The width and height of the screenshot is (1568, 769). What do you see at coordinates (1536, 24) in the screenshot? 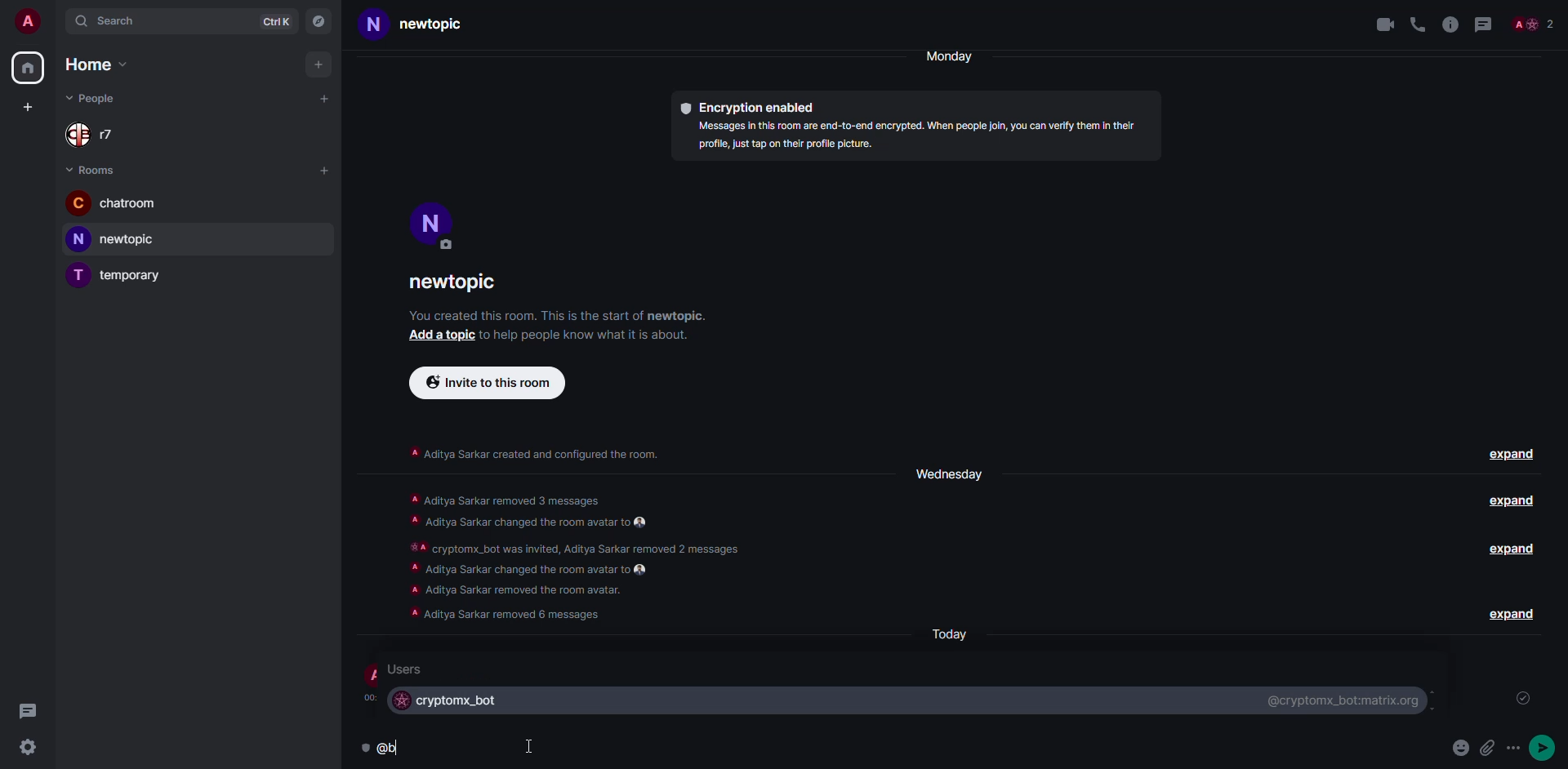
I see `people` at bounding box center [1536, 24].